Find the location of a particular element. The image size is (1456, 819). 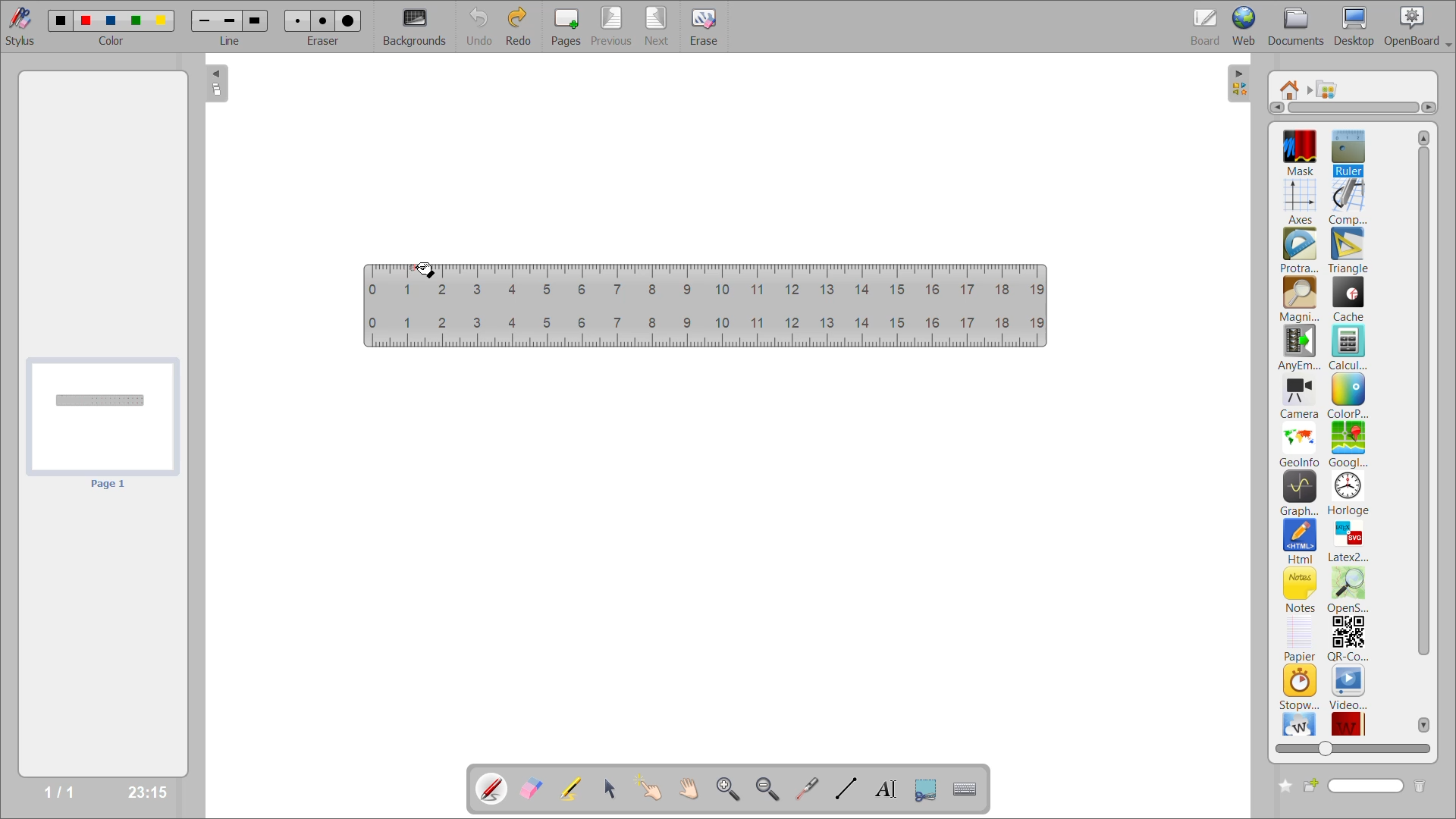

camera is located at coordinates (1300, 398).